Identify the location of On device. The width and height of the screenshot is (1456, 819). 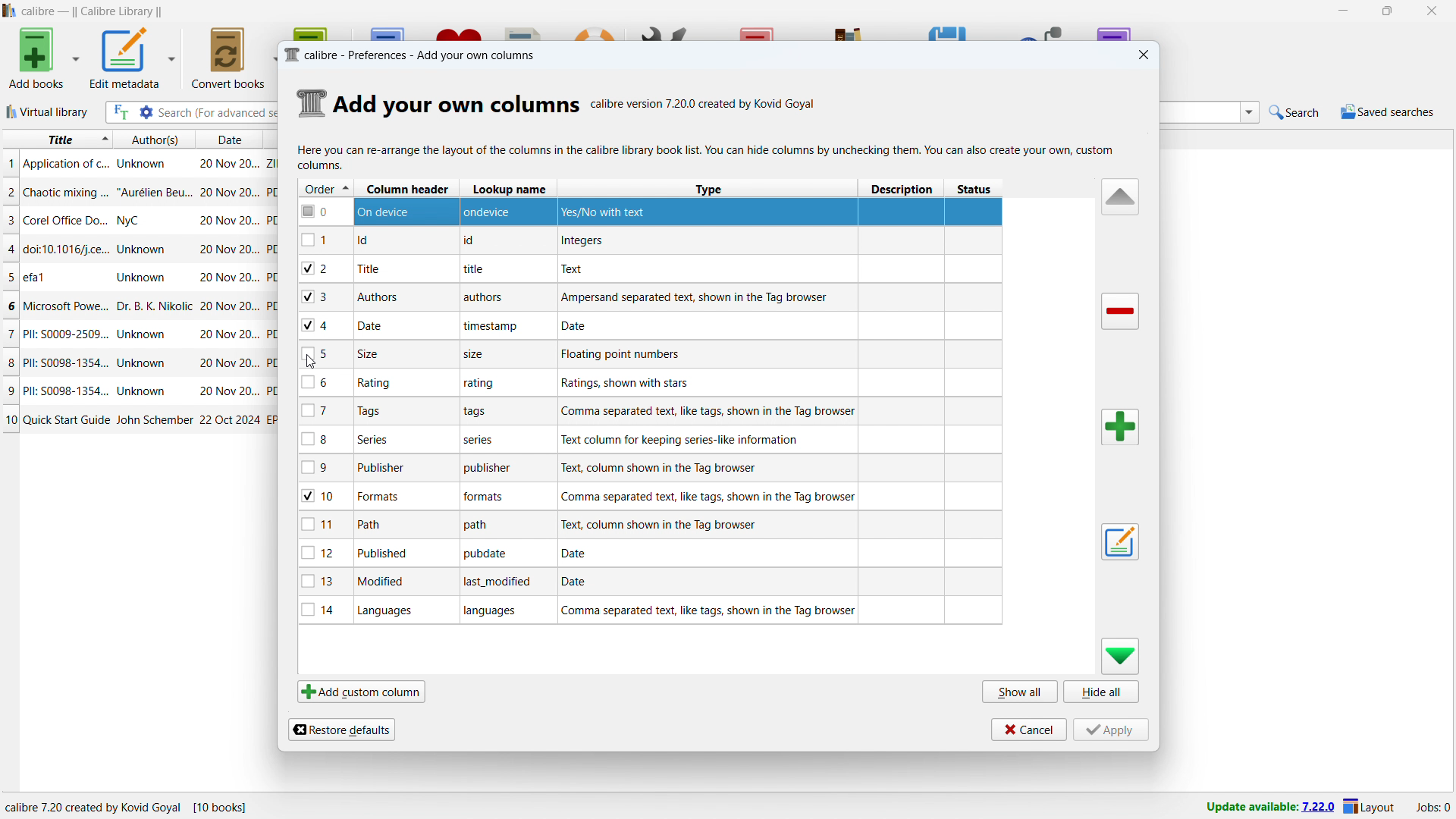
(389, 212).